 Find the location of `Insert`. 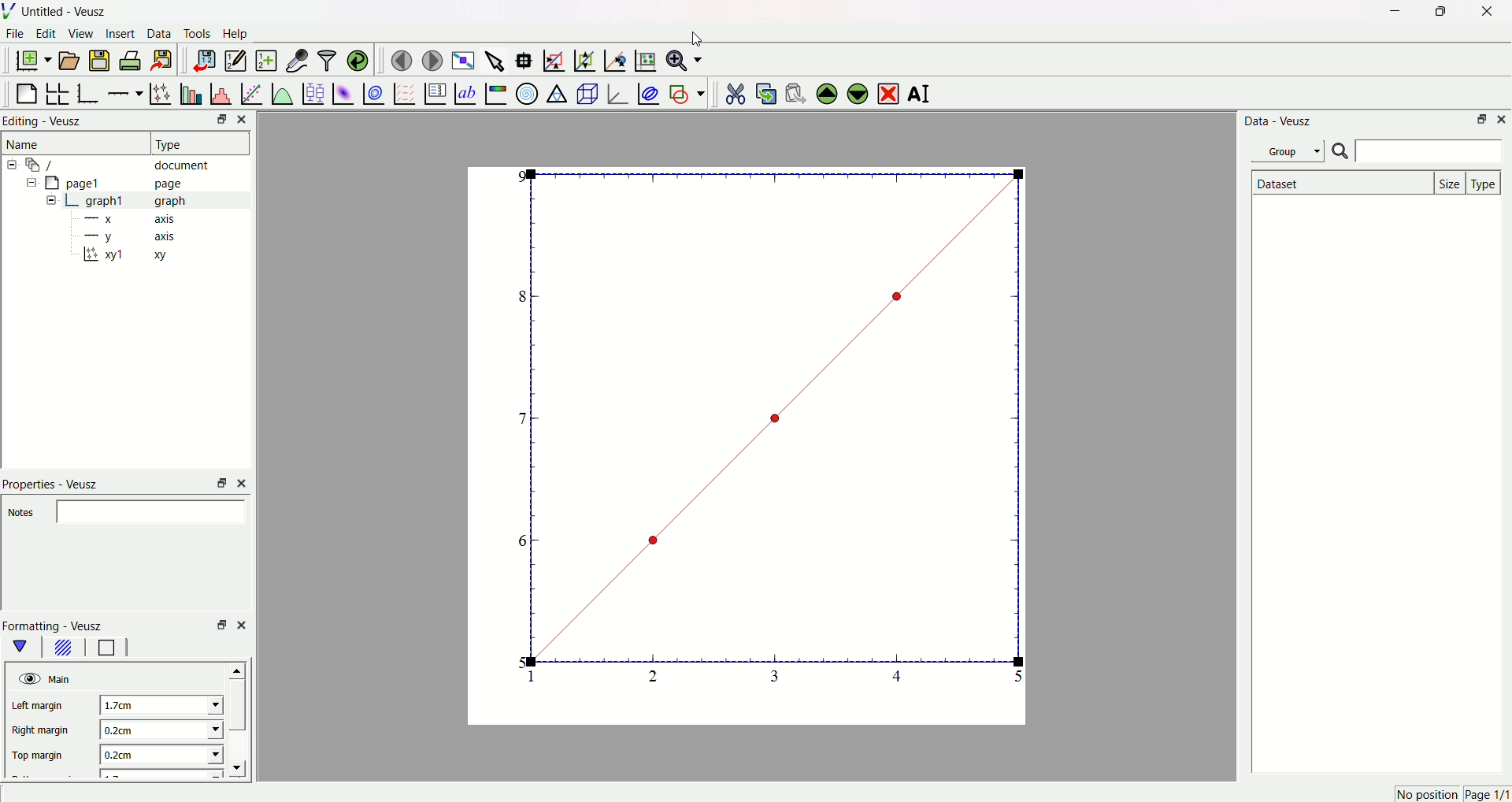

Insert is located at coordinates (120, 35).